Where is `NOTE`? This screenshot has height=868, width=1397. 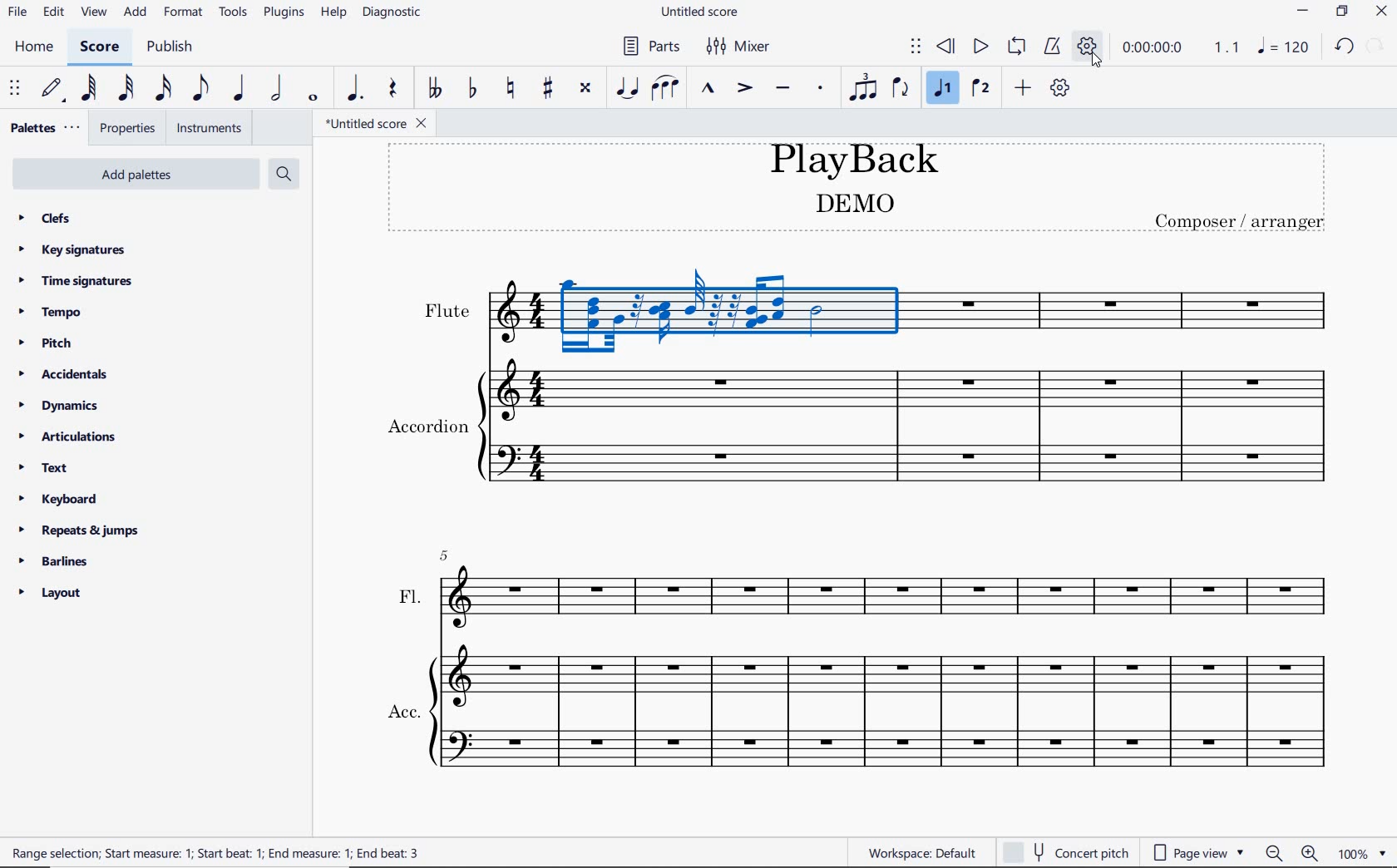 NOTE is located at coordinates (1282, 47).